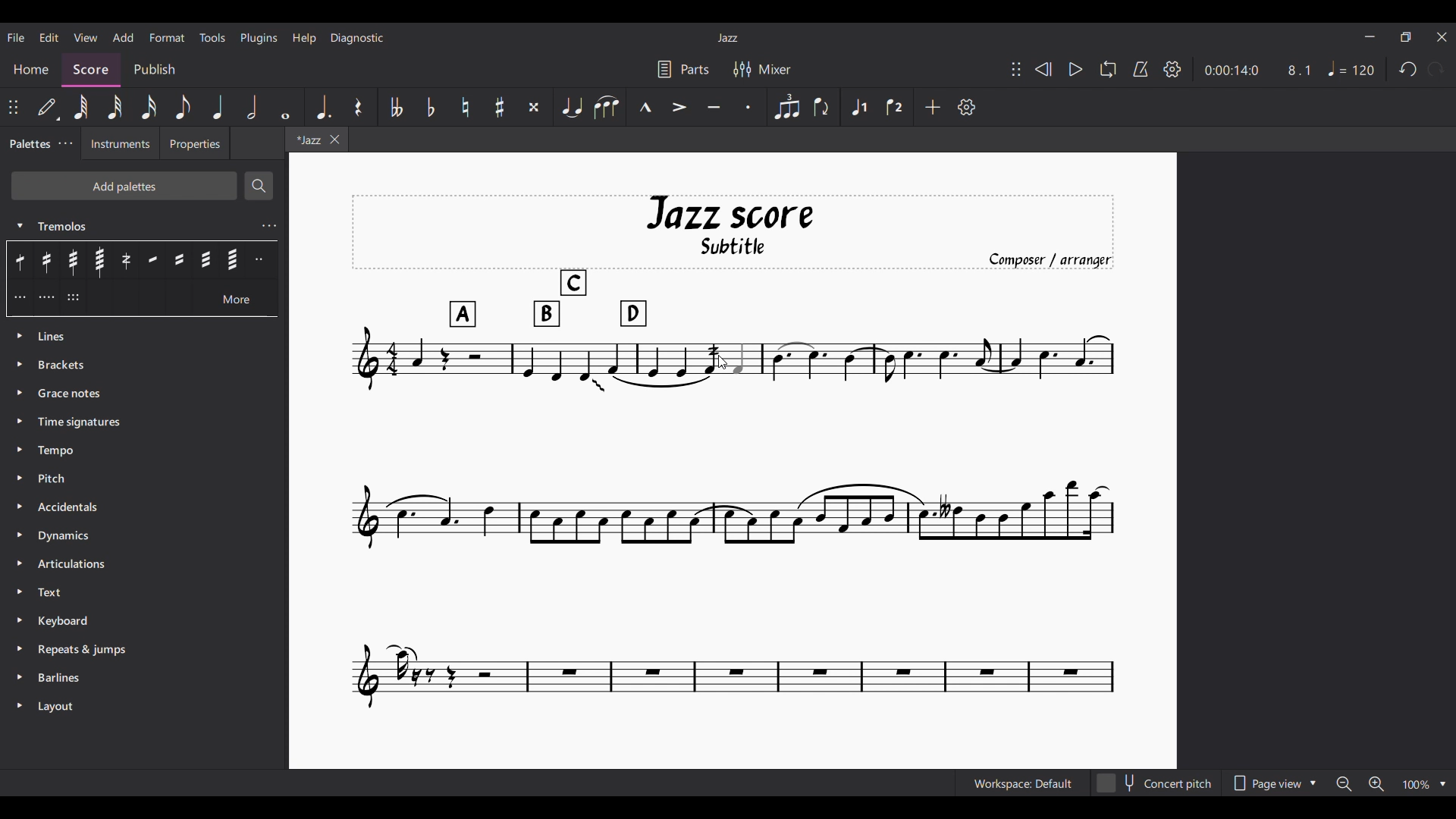 The height and width of the screenshot is (819, 1456). What do you see at coordinates (143, 564) in the screenshot?
I see `Articulations` at bounding box center [143, 564].